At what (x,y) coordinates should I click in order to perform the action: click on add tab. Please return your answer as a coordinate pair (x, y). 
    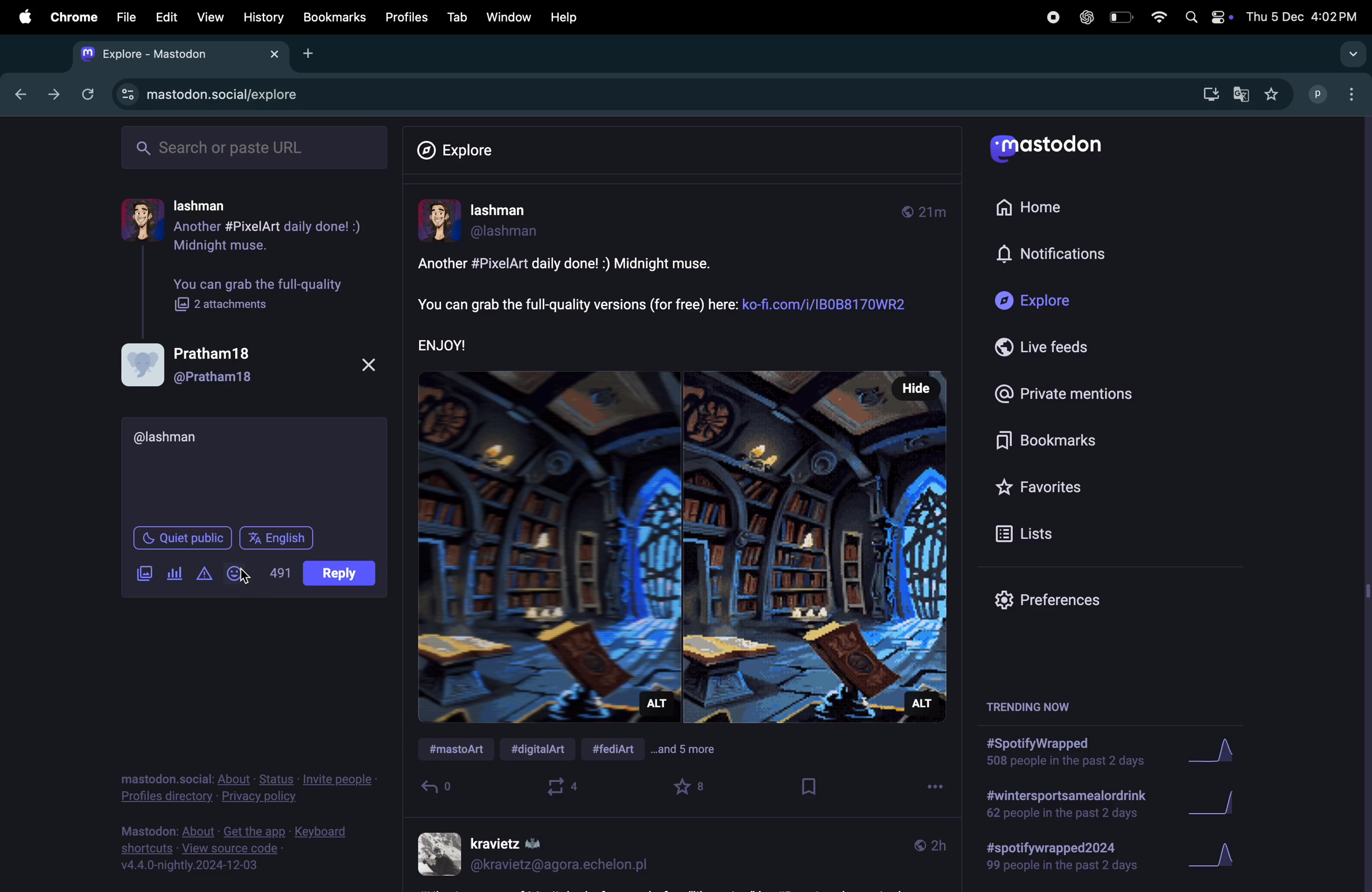
    Looking at the image, I should click on (311, 55).